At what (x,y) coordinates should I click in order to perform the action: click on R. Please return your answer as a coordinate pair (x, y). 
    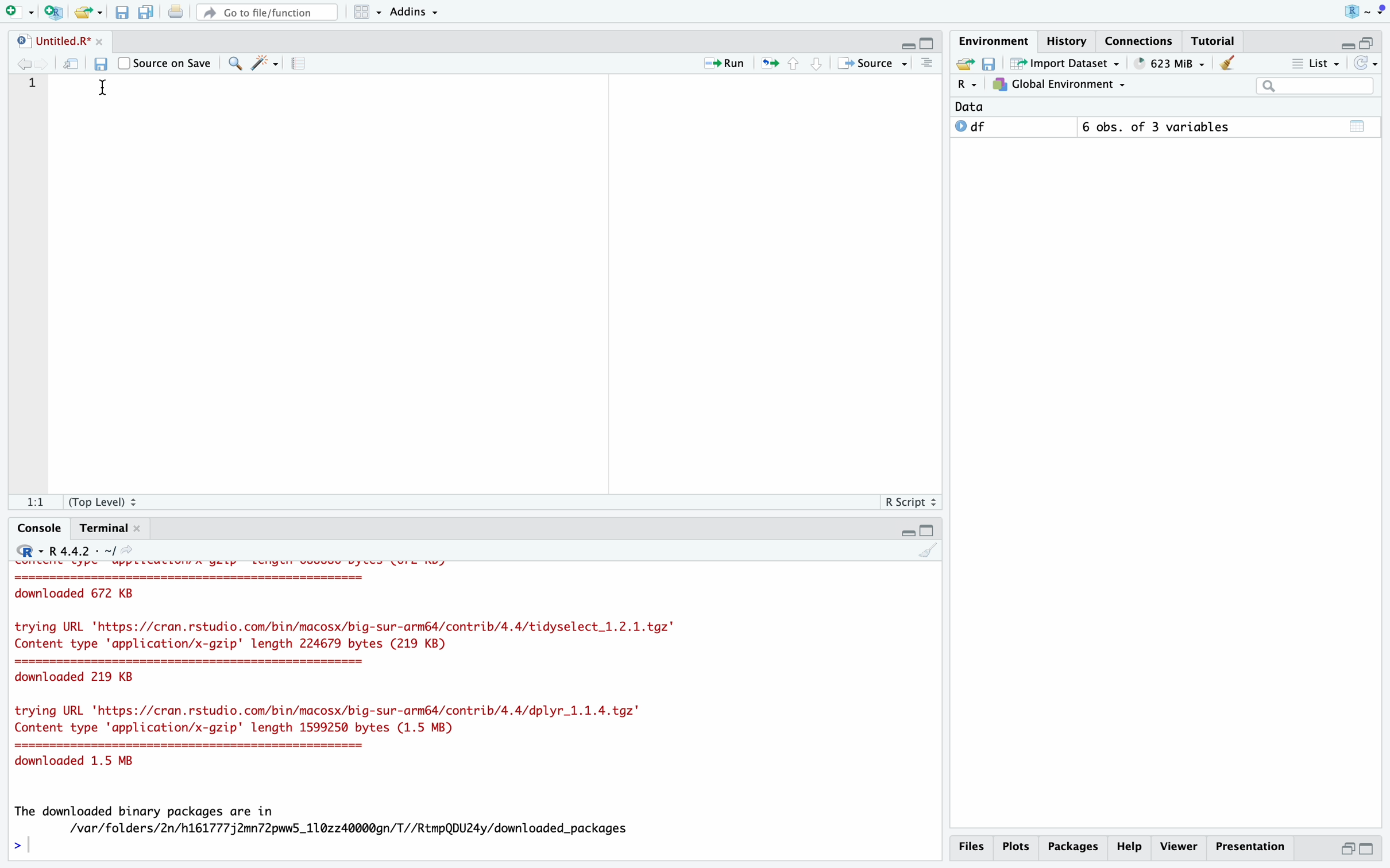
    Looking at the image, I should click on (968, 85).